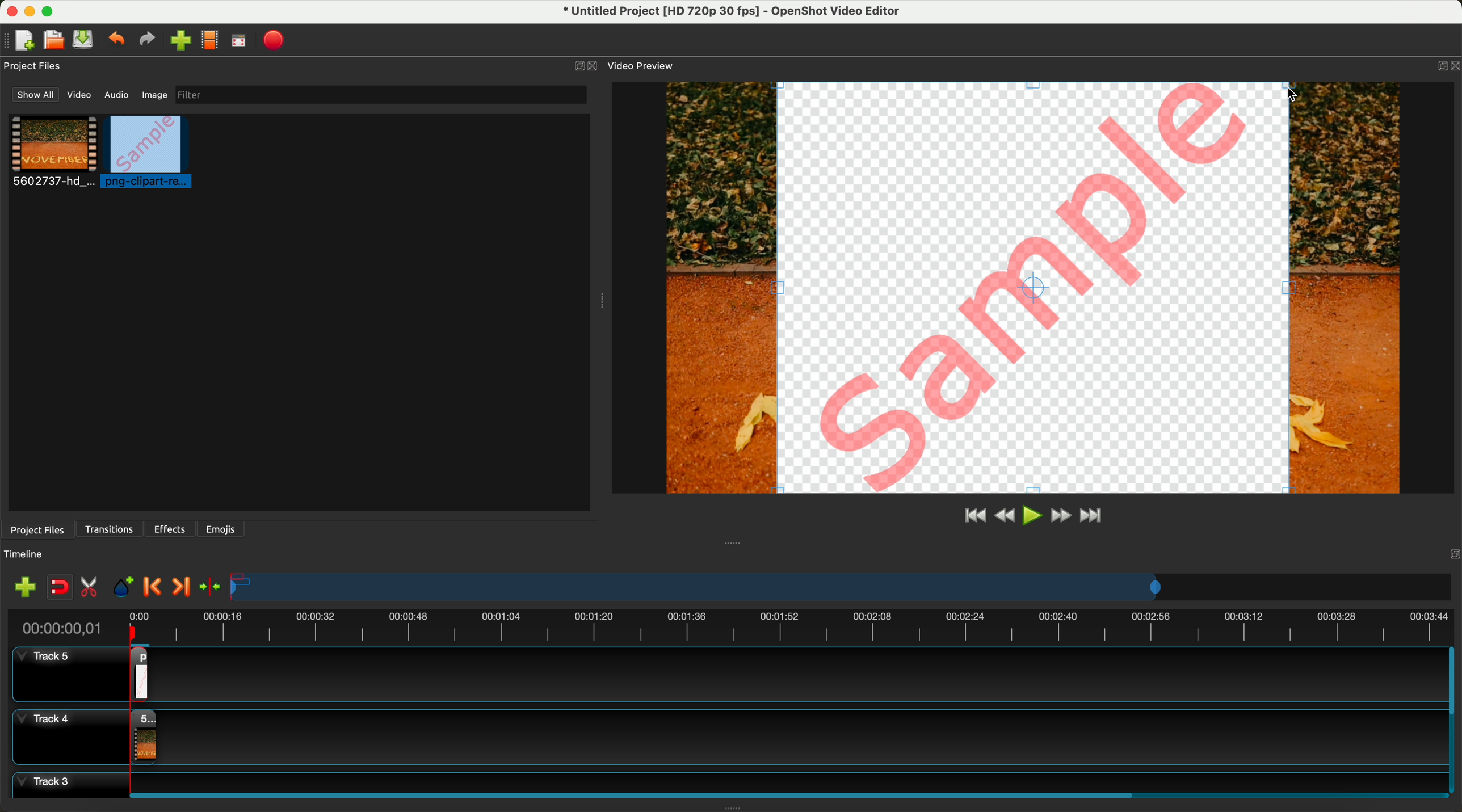  What do you see at coordinates (126, 589) in the screenshot?
I see `add mark` at bounding box center [126, 589].